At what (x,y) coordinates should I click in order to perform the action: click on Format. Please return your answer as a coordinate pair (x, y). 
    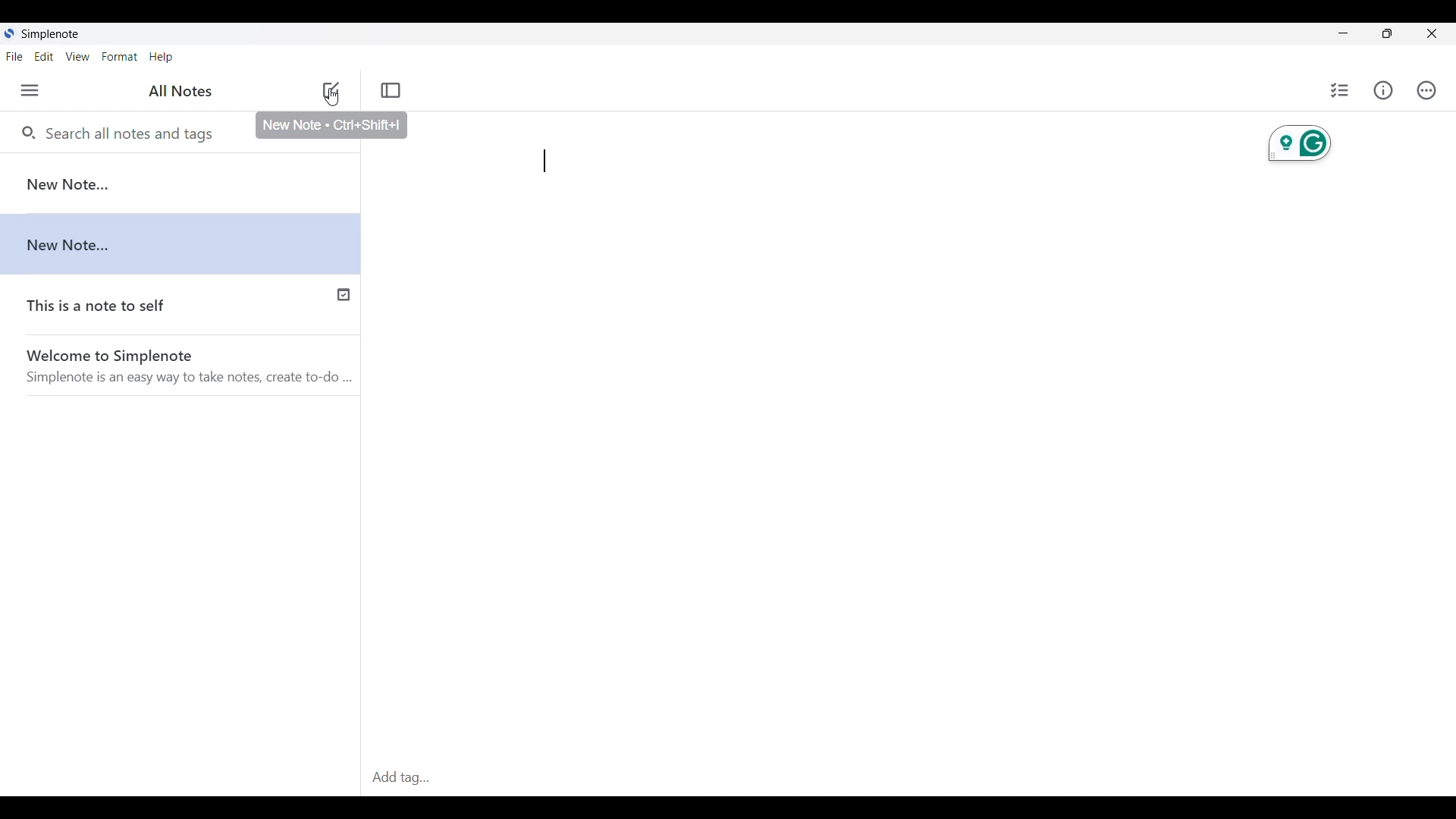
    Looking at the image, I should click on (120, 57).